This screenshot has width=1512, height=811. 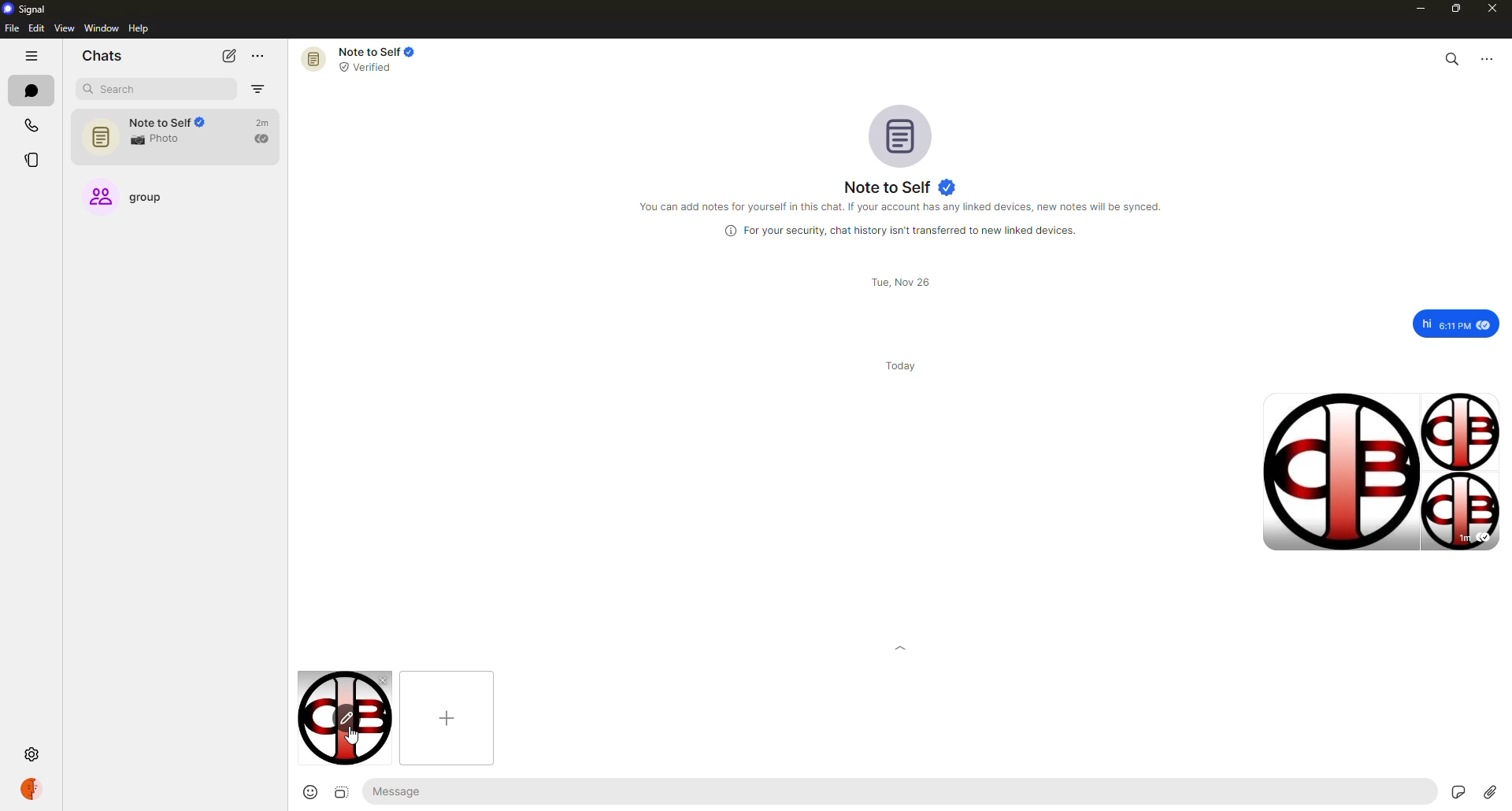 What do you see at coordinates (308, 792) in the screenshot?
I see `emoji` at bounding box center [308, 792].